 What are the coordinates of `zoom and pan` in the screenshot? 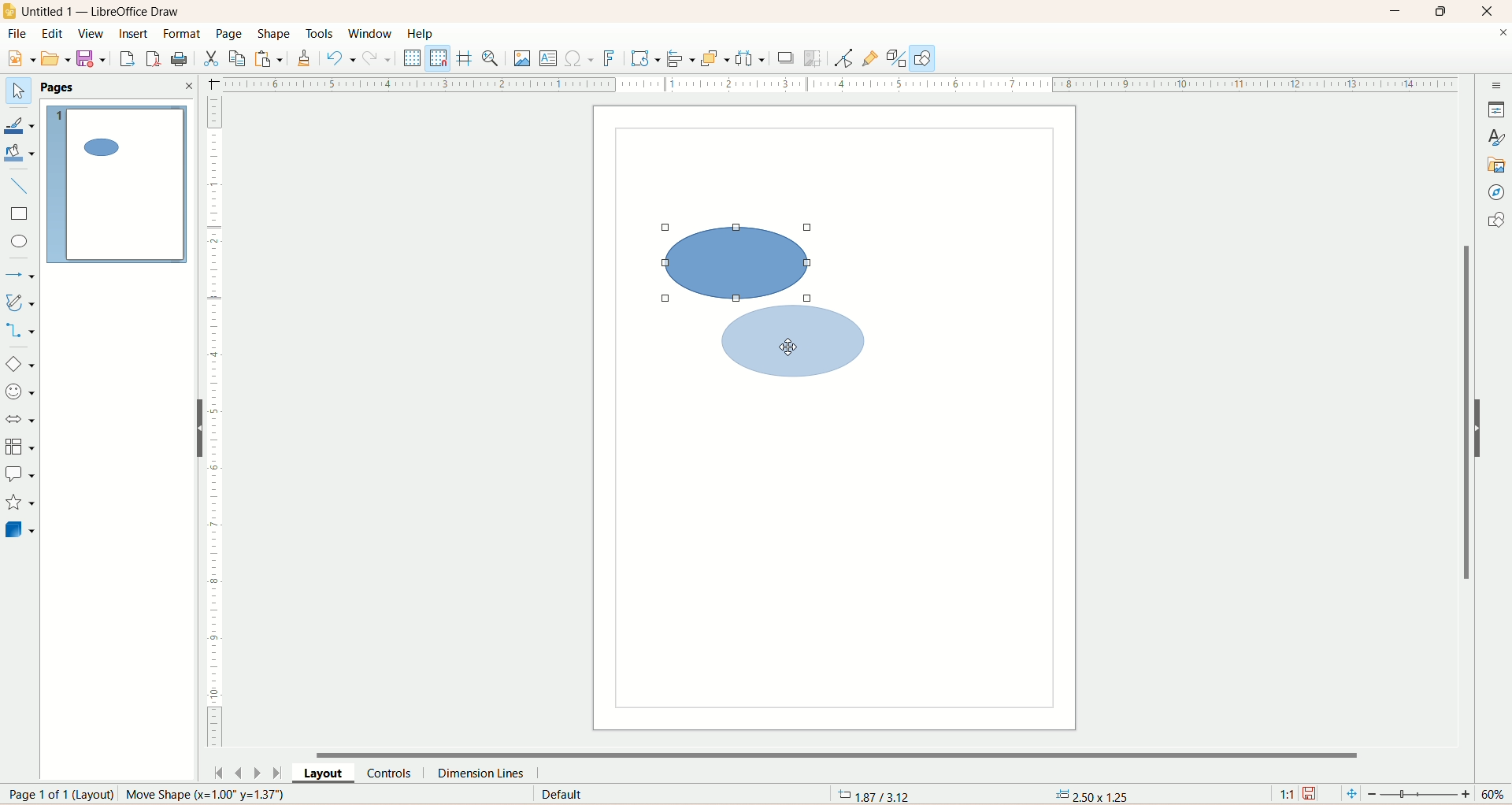 It's located at (494, 61).